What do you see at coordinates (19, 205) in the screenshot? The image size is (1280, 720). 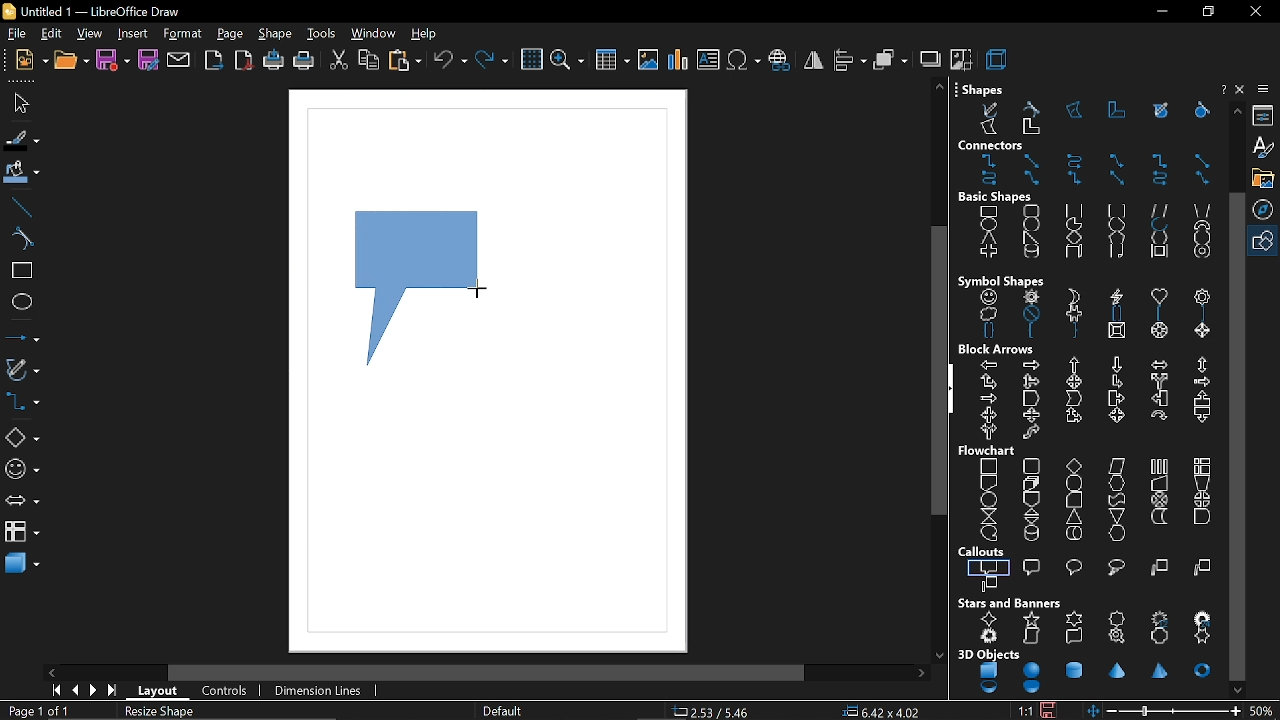 I see `line` at bounding box center [19, 205].